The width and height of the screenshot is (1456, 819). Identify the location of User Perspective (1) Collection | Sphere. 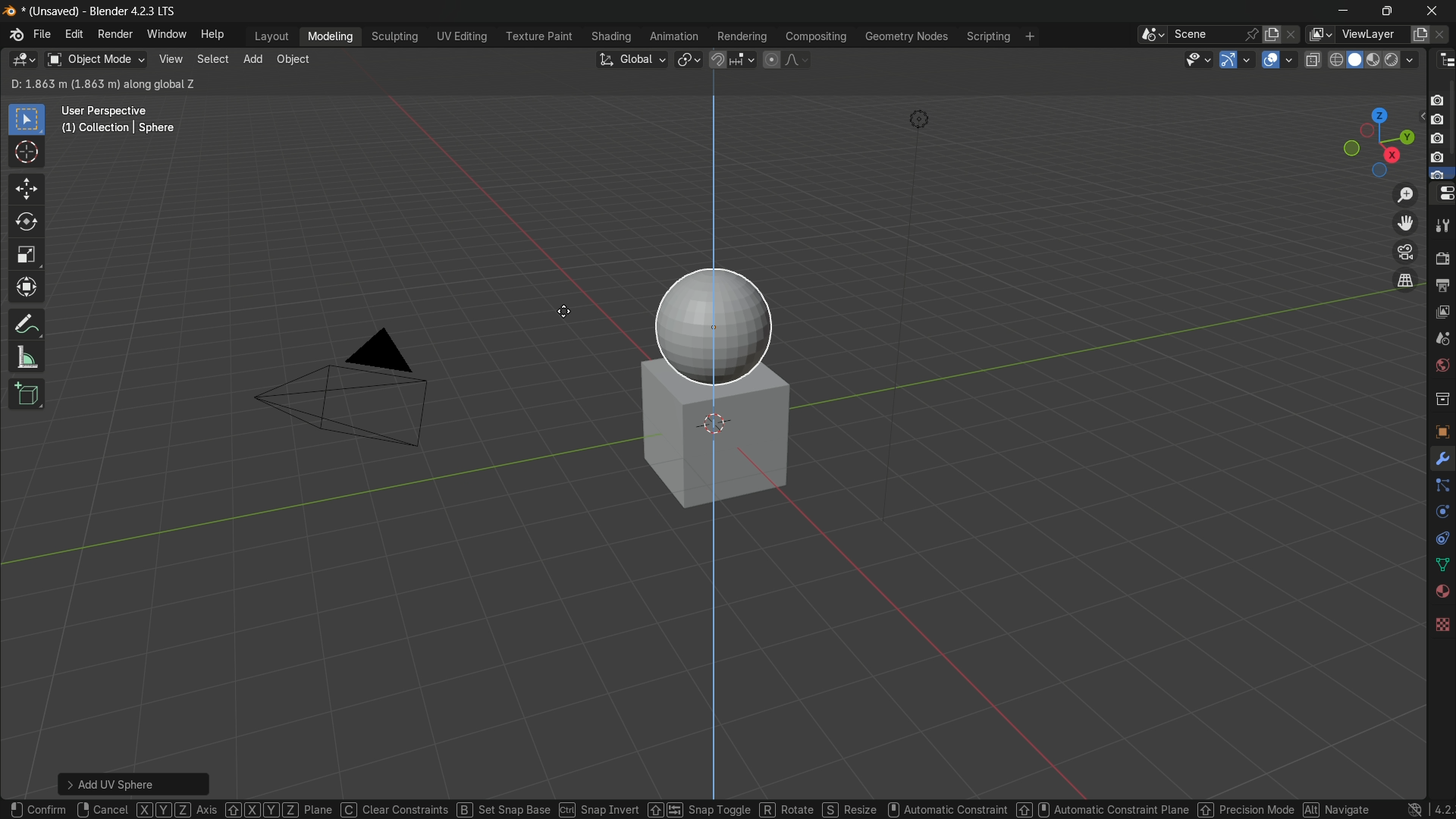
(118, 119).